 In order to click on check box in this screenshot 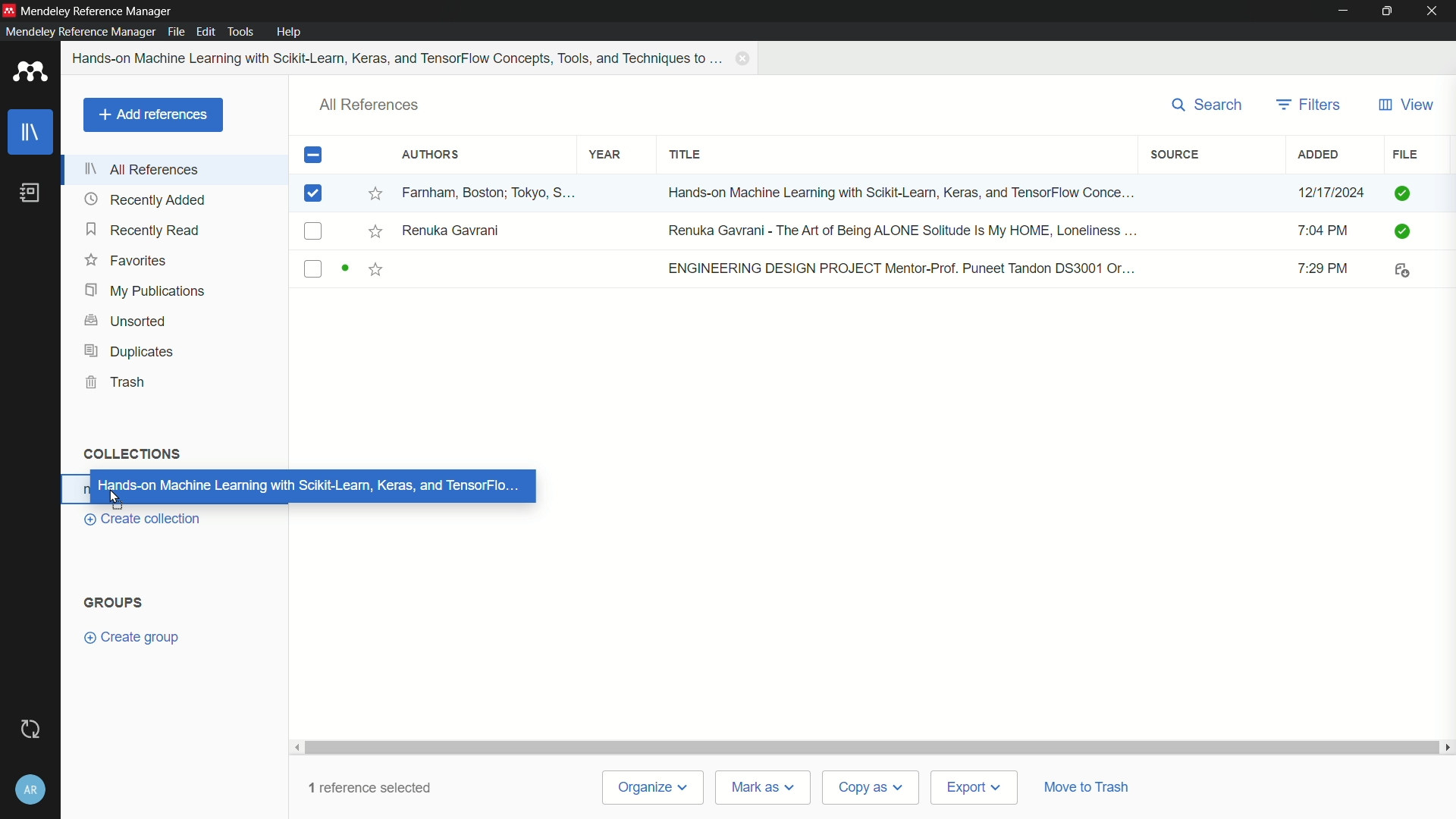, I will do `click(313, 155)`.